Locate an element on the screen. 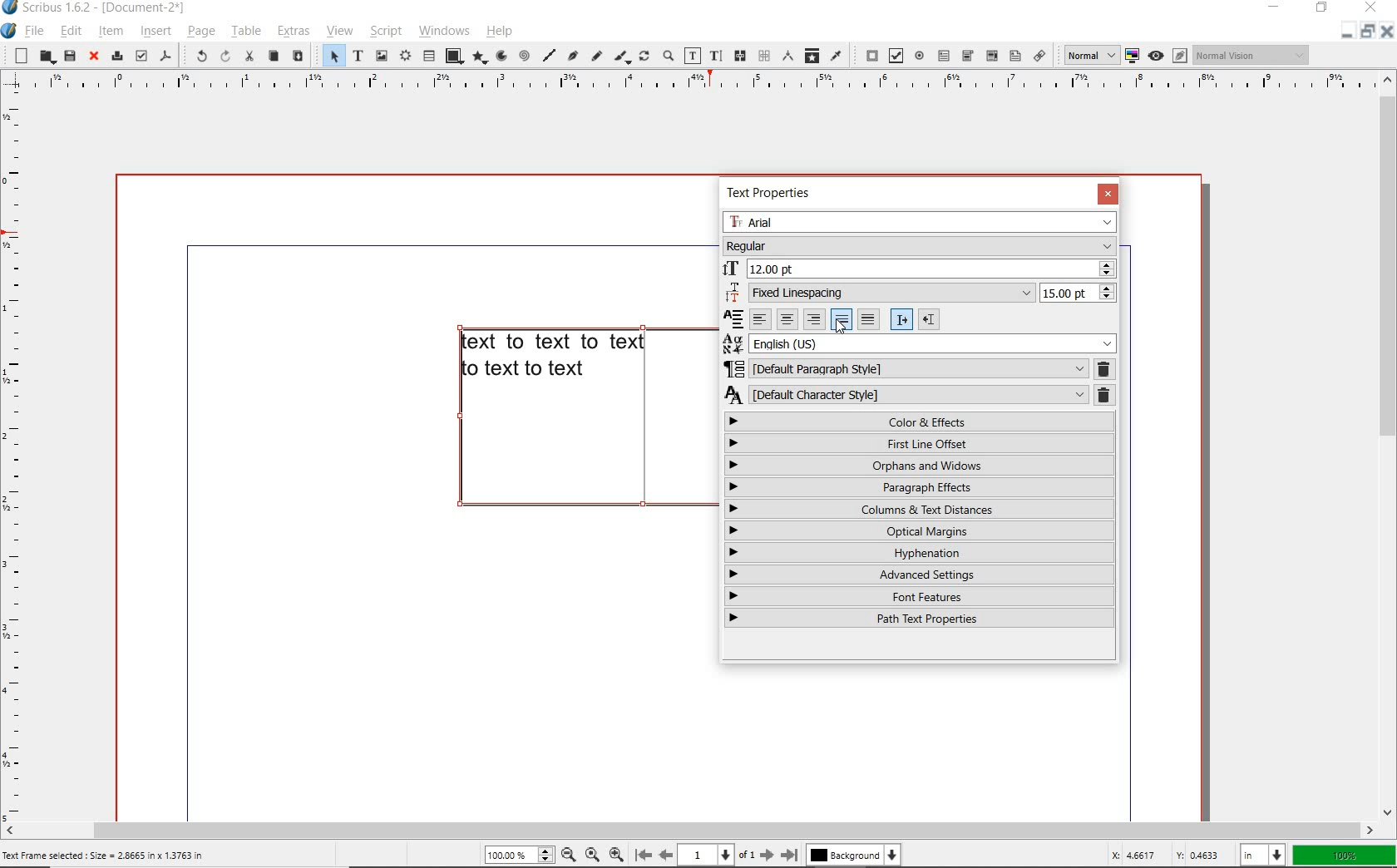  pdf radio button is located at coordinates (919, 56).